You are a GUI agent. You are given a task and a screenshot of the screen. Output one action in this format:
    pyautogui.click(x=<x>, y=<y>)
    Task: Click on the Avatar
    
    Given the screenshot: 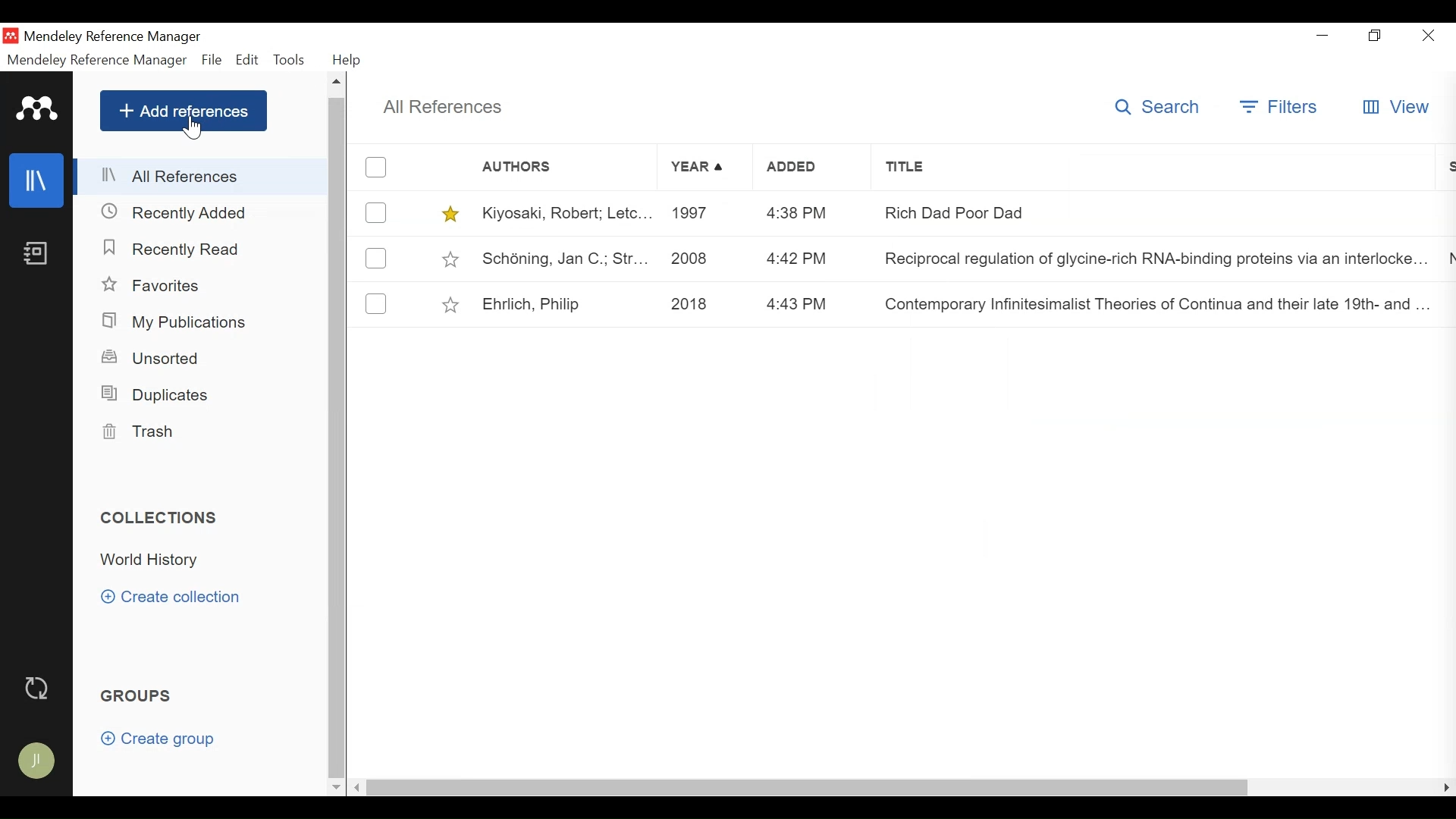 What is the action you would take?
    pyautogui.click(x=36, y=761)
    